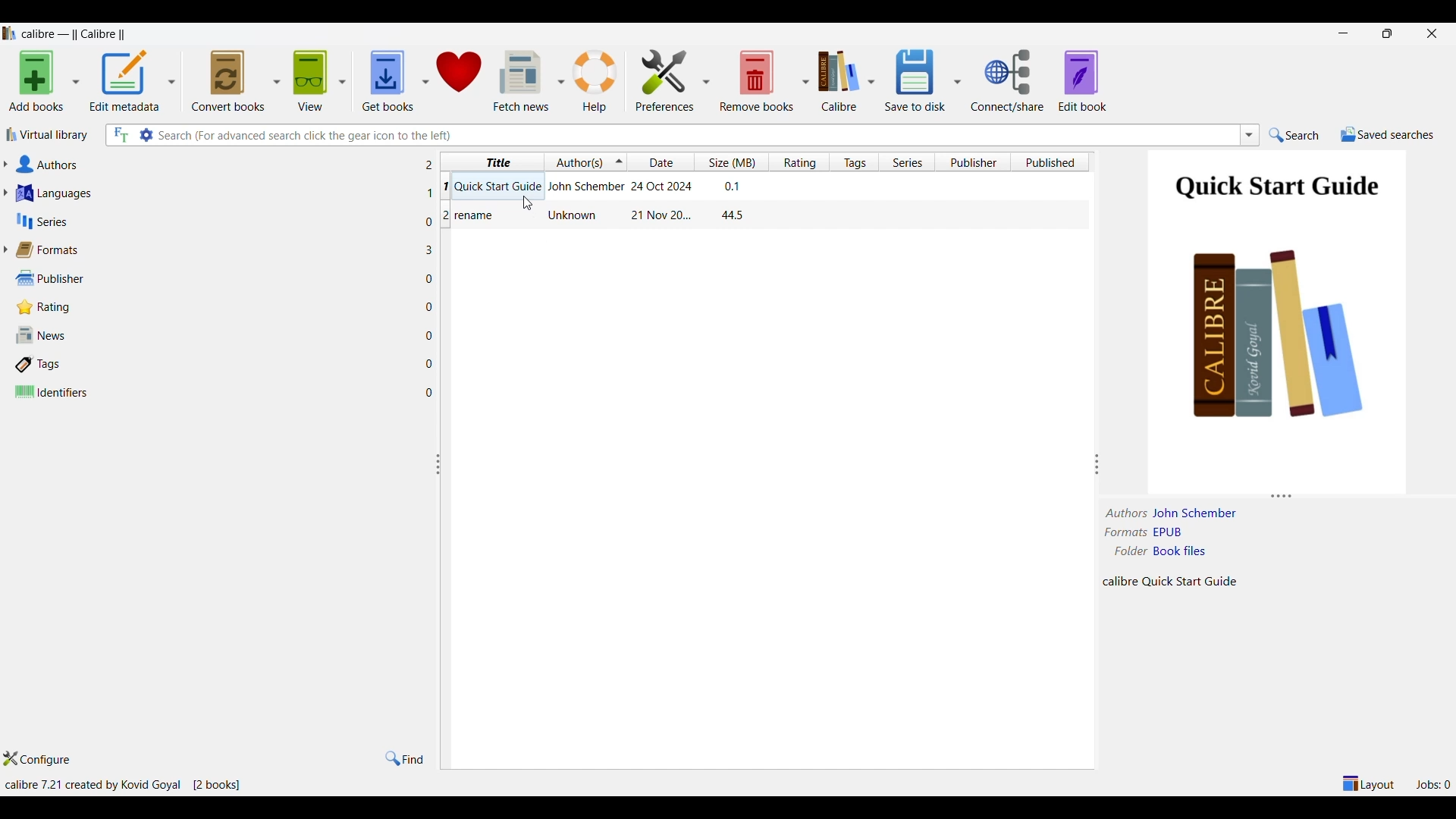 The image size is (1456, 819). I want to click on View options, so click(341, 81).